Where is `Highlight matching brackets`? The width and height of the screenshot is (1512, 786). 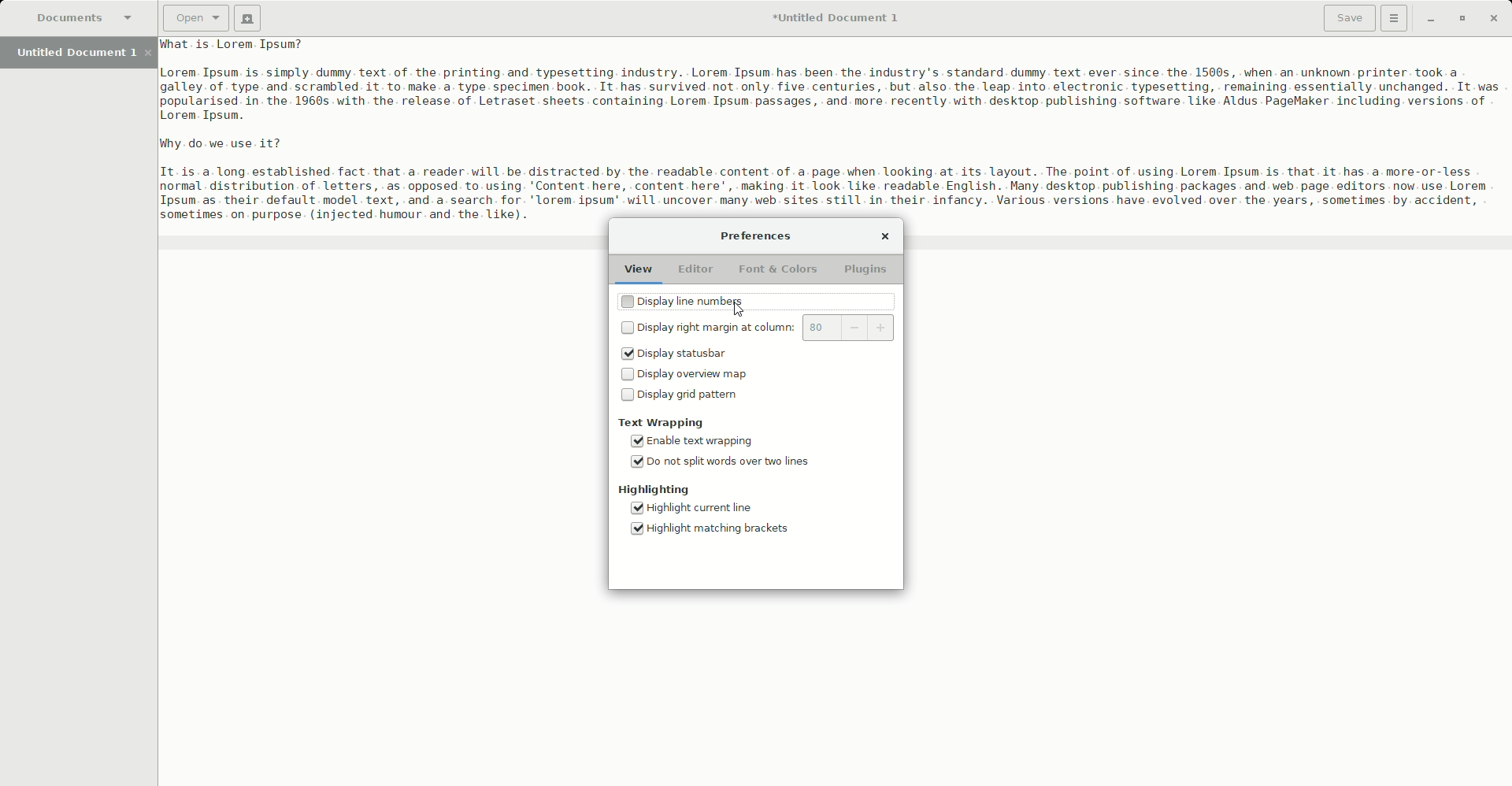
Highlight matching brackets is located at coordinates (711, 530).